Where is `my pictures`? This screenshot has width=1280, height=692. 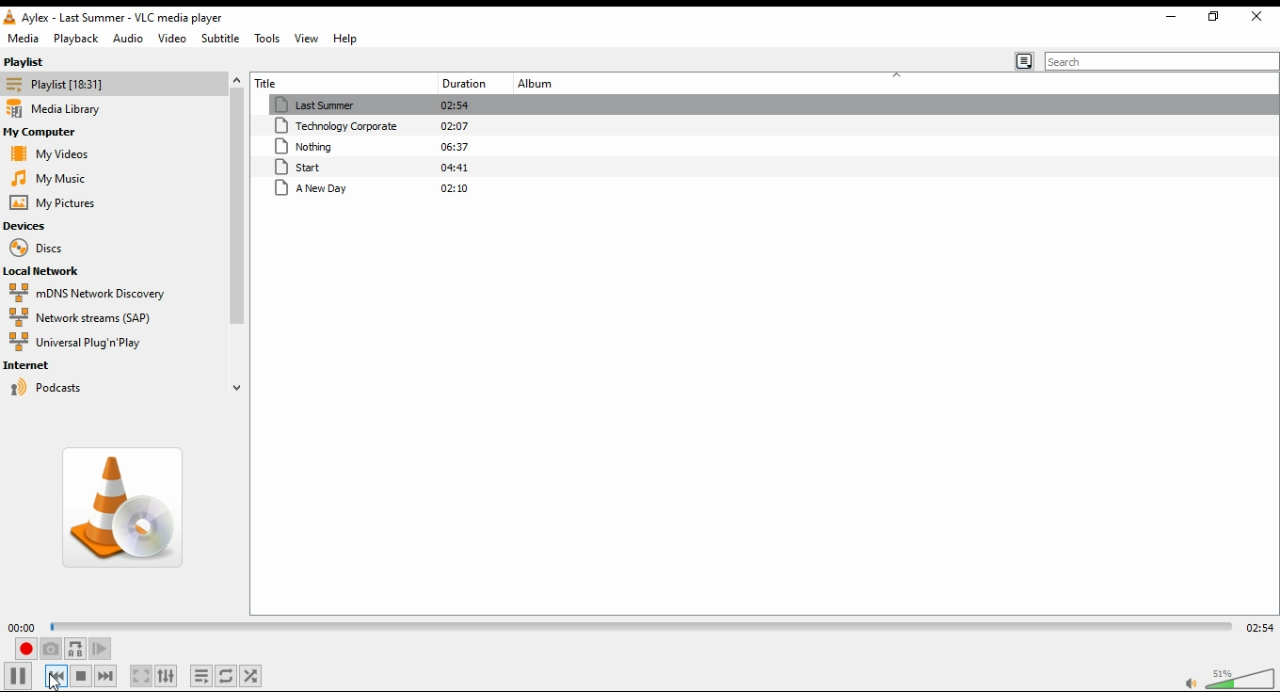 my pictures is located at coordinates (54, 203).